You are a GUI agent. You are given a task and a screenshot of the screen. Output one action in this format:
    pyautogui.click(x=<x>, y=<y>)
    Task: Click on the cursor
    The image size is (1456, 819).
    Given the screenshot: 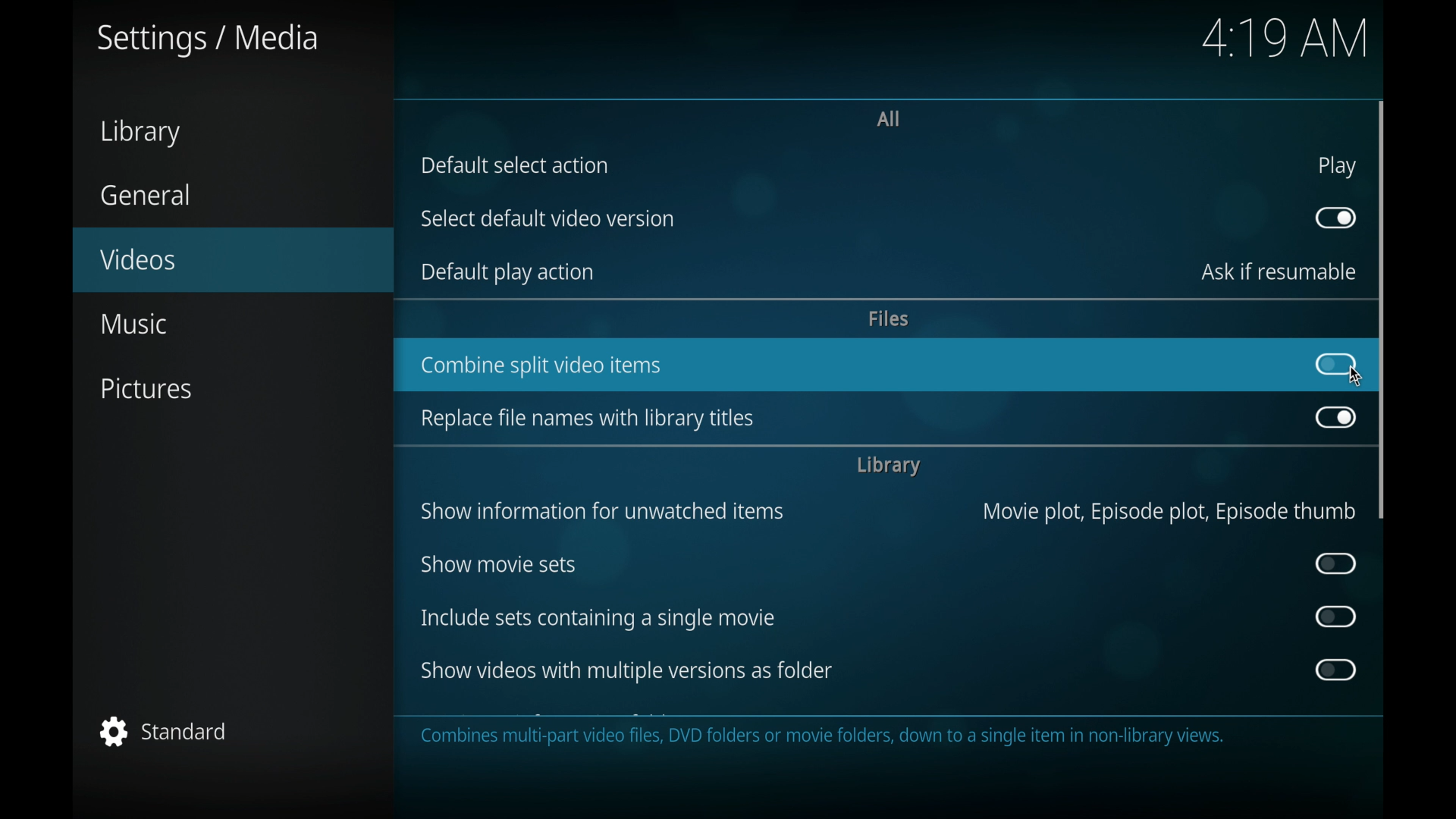 What is the action you would take?
    pyautogui.click(x=1359, y=378)
    